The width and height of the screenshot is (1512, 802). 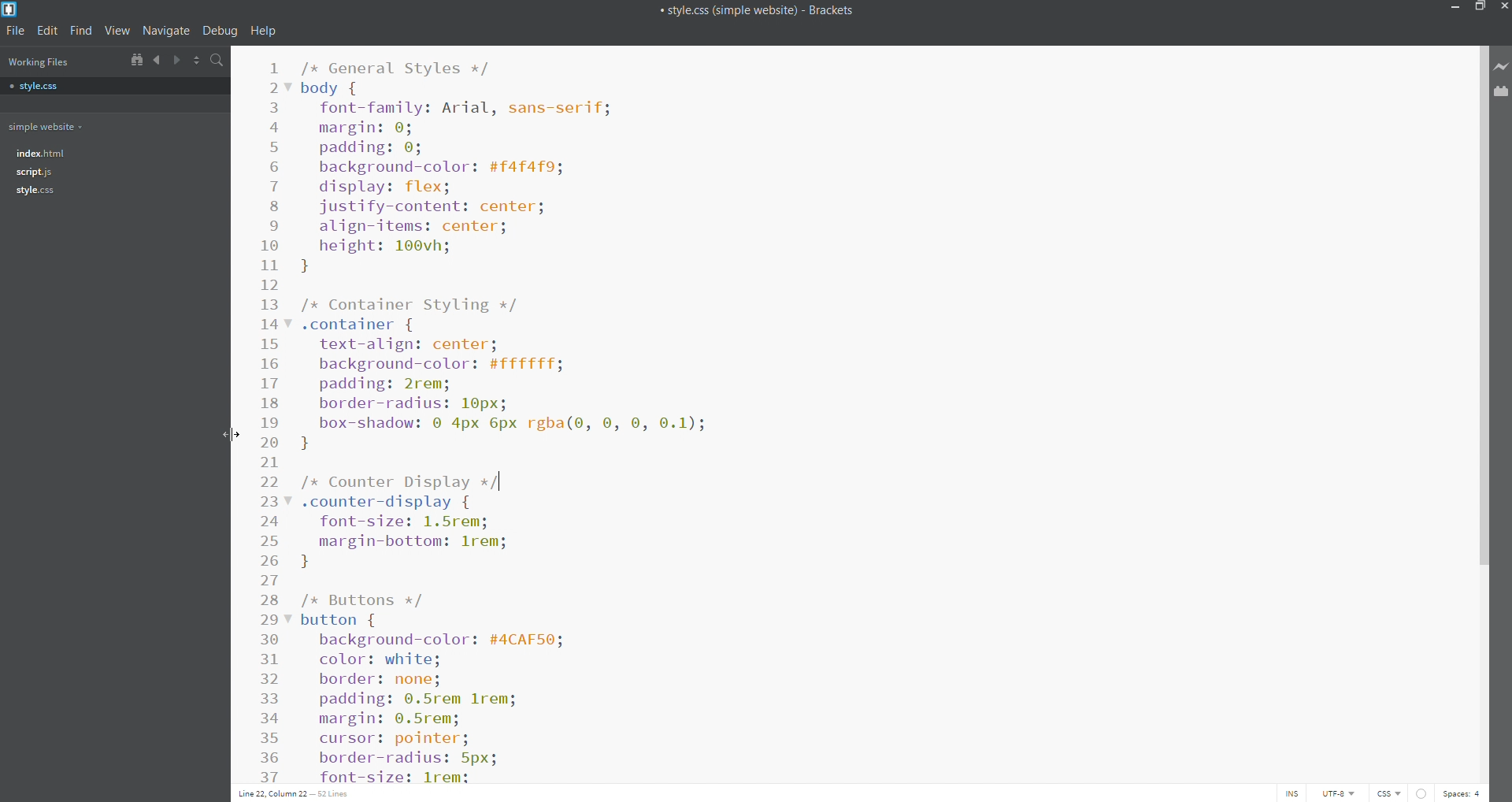 I want to click on help, so click(x=263, y=31).